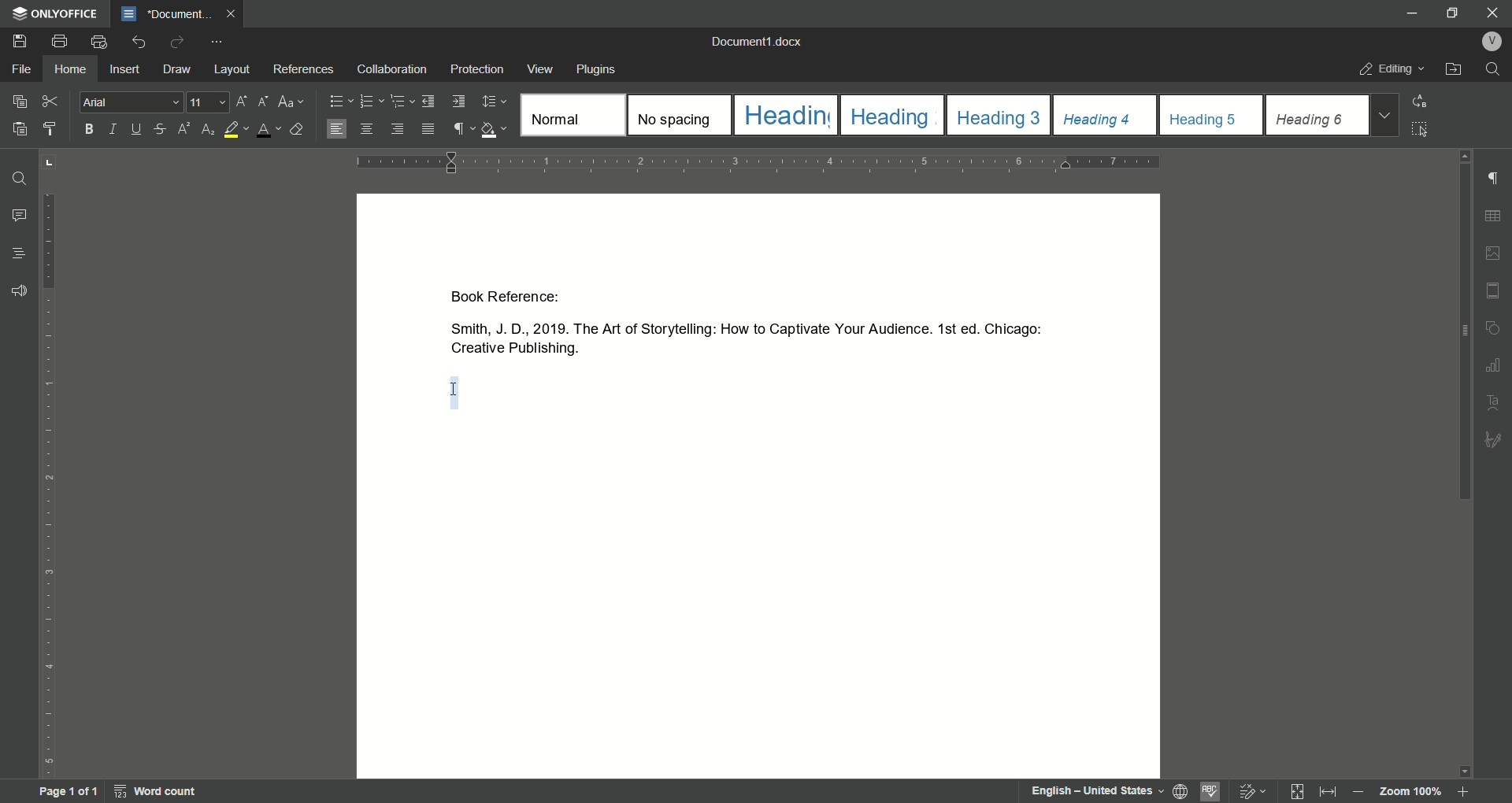 This screenshot has width=1512, height=803. I want to click on plugins, so click(597, 69).